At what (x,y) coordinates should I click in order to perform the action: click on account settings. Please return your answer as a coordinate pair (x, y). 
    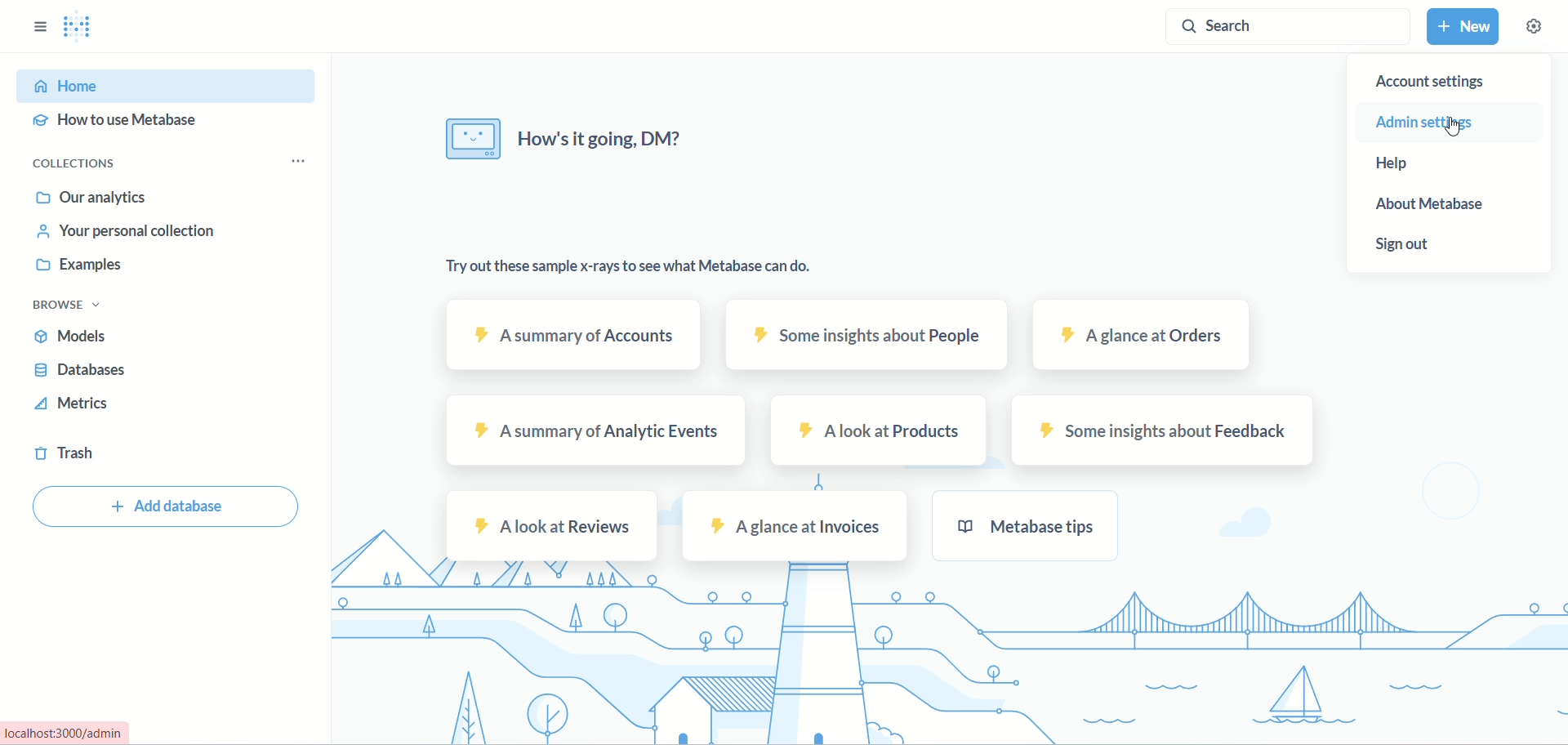
    Looking at the image, I should click on (1429, 82).